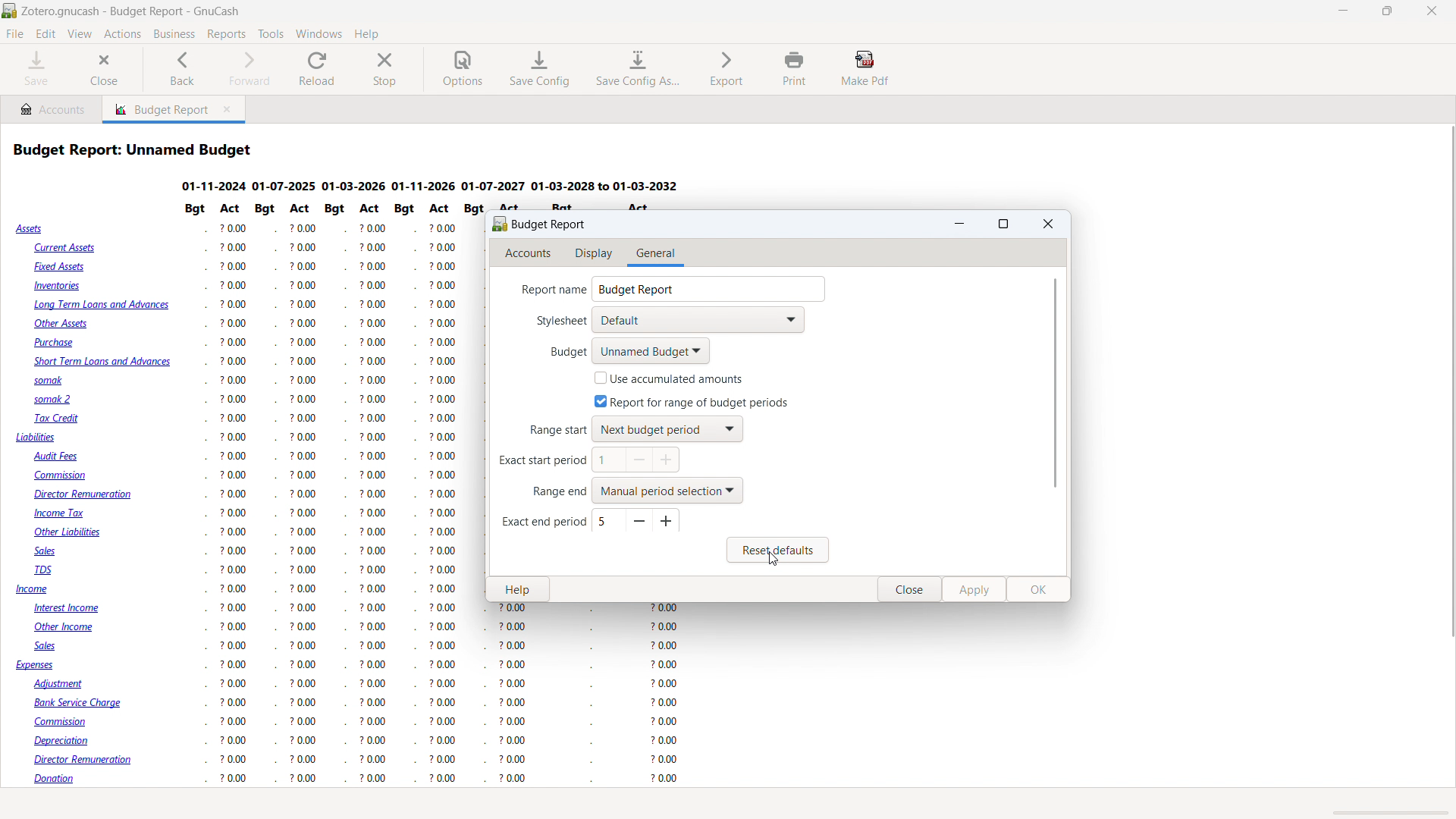  Describe the element at coordinates (63, 248) in the screenshot. I see `current Assets` at that location.